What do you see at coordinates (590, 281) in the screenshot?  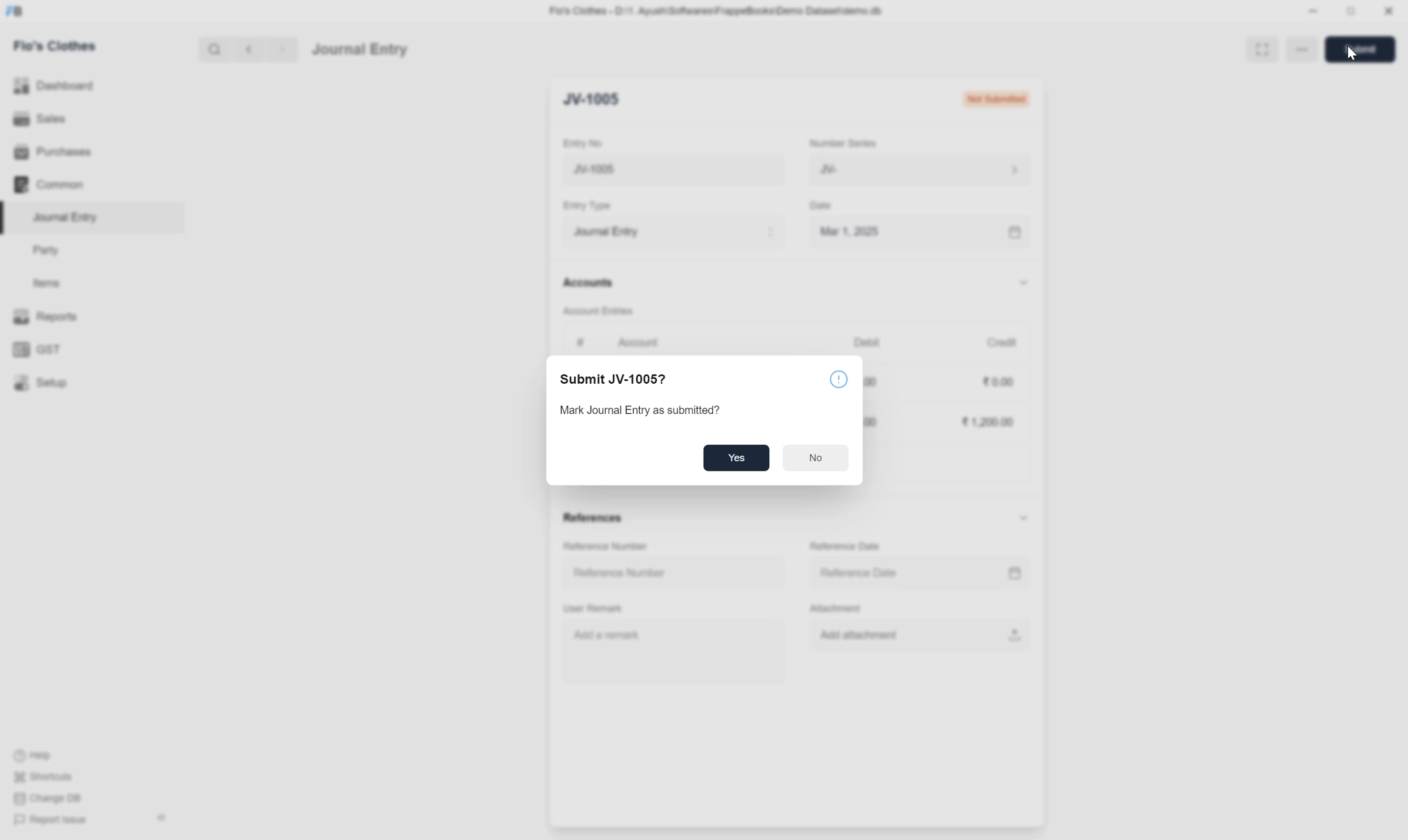 I see `Accounts` at bounding box center [590, 281].